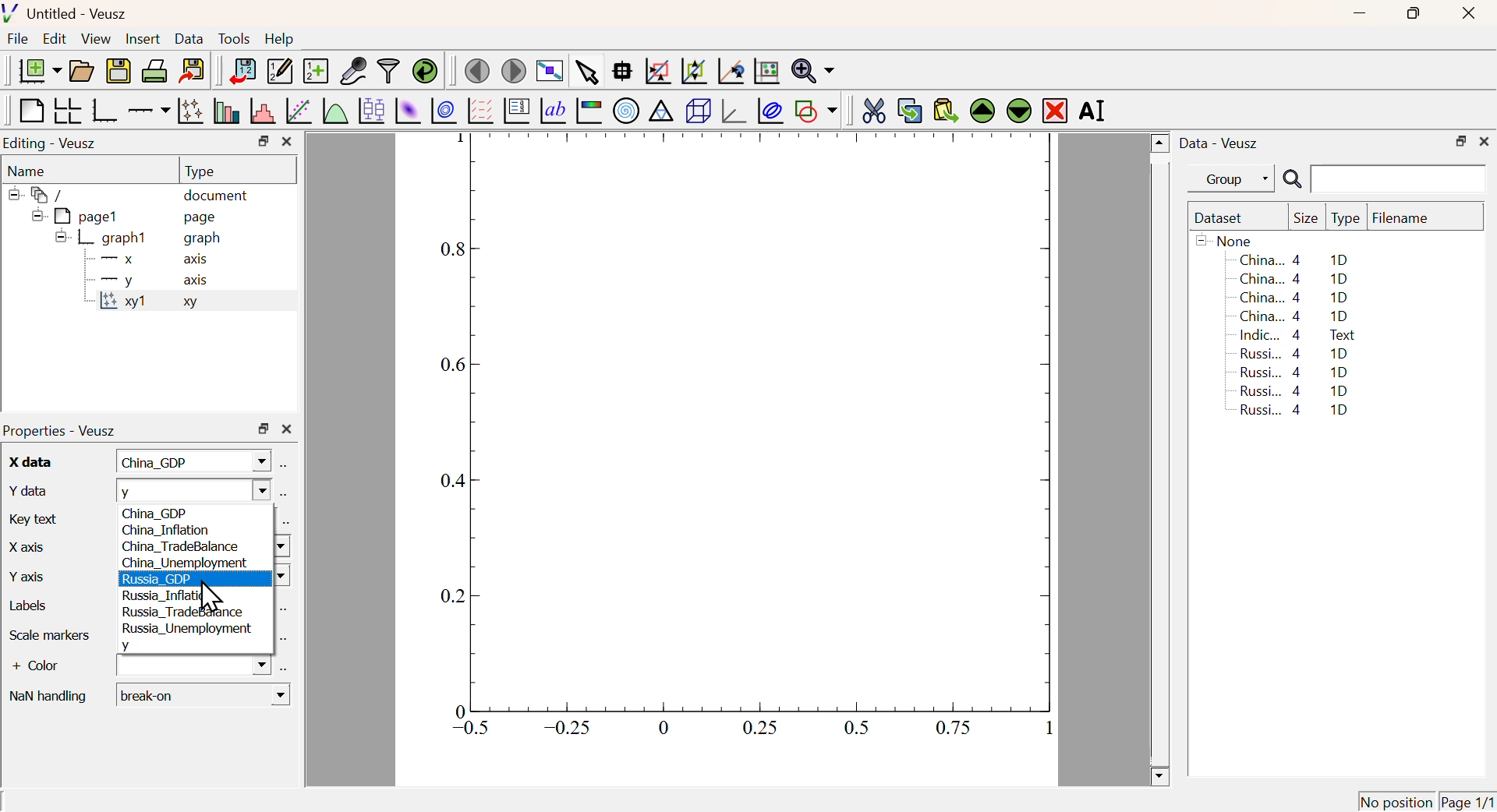  What do you see at coordinates (193, 489) in the screenshot?
I see `y` at bounding box center [193, 489].